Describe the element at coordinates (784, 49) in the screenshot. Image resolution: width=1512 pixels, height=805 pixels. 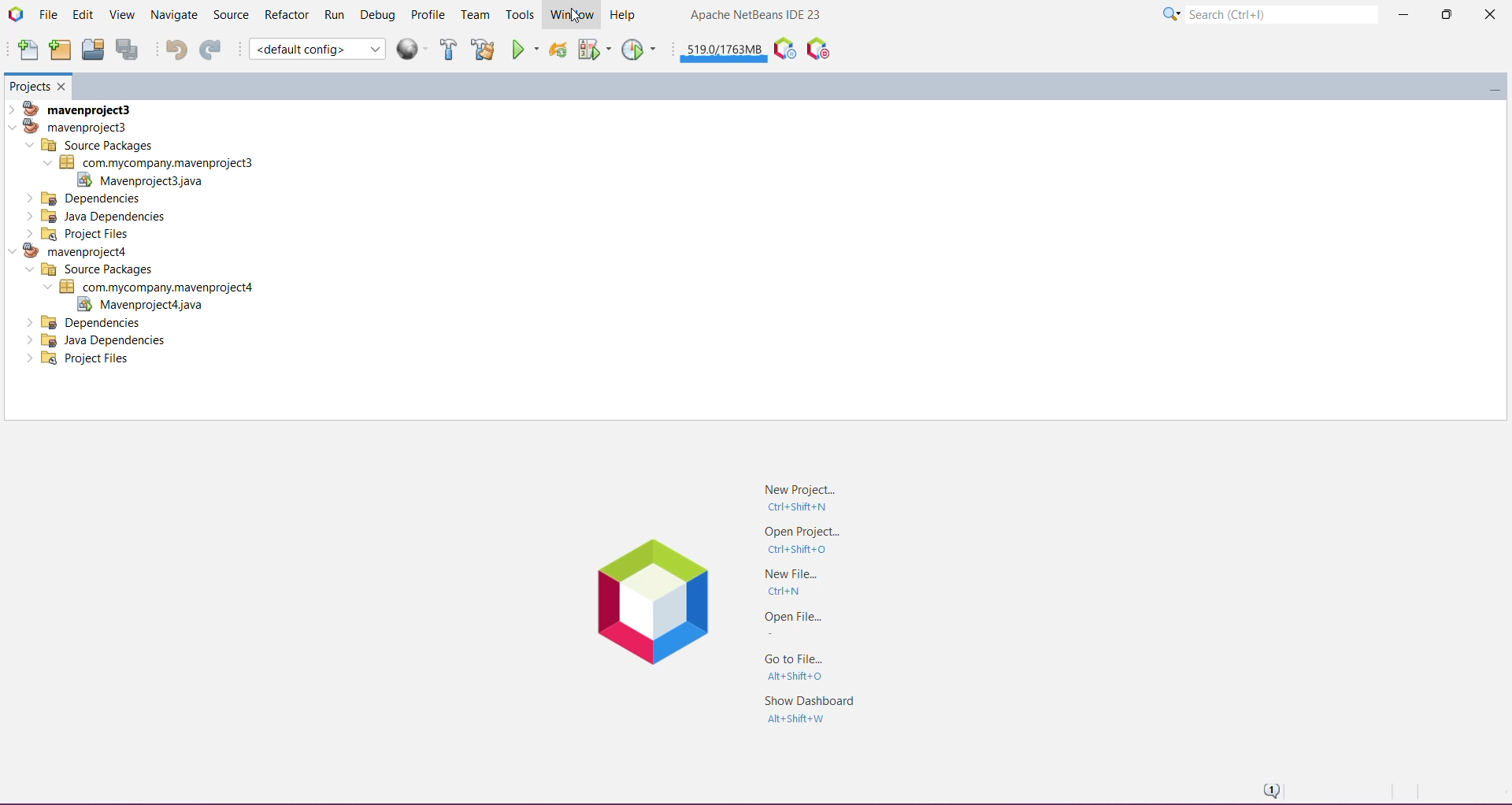
I see `Profile the IDE` at that location.